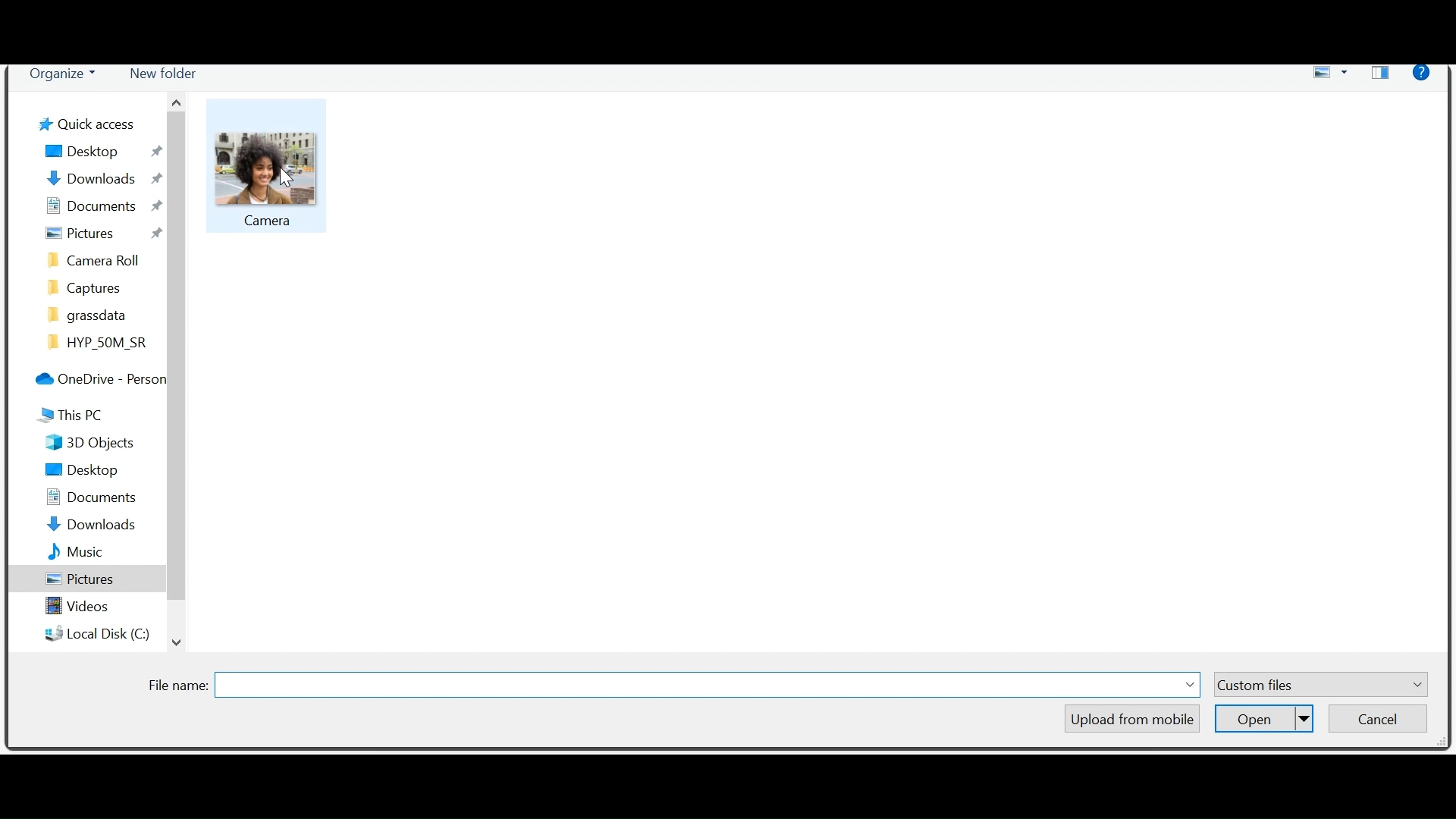 The width and height of the screenshot is (1456, 819). I want to click on grassdata, so click(89, 317).